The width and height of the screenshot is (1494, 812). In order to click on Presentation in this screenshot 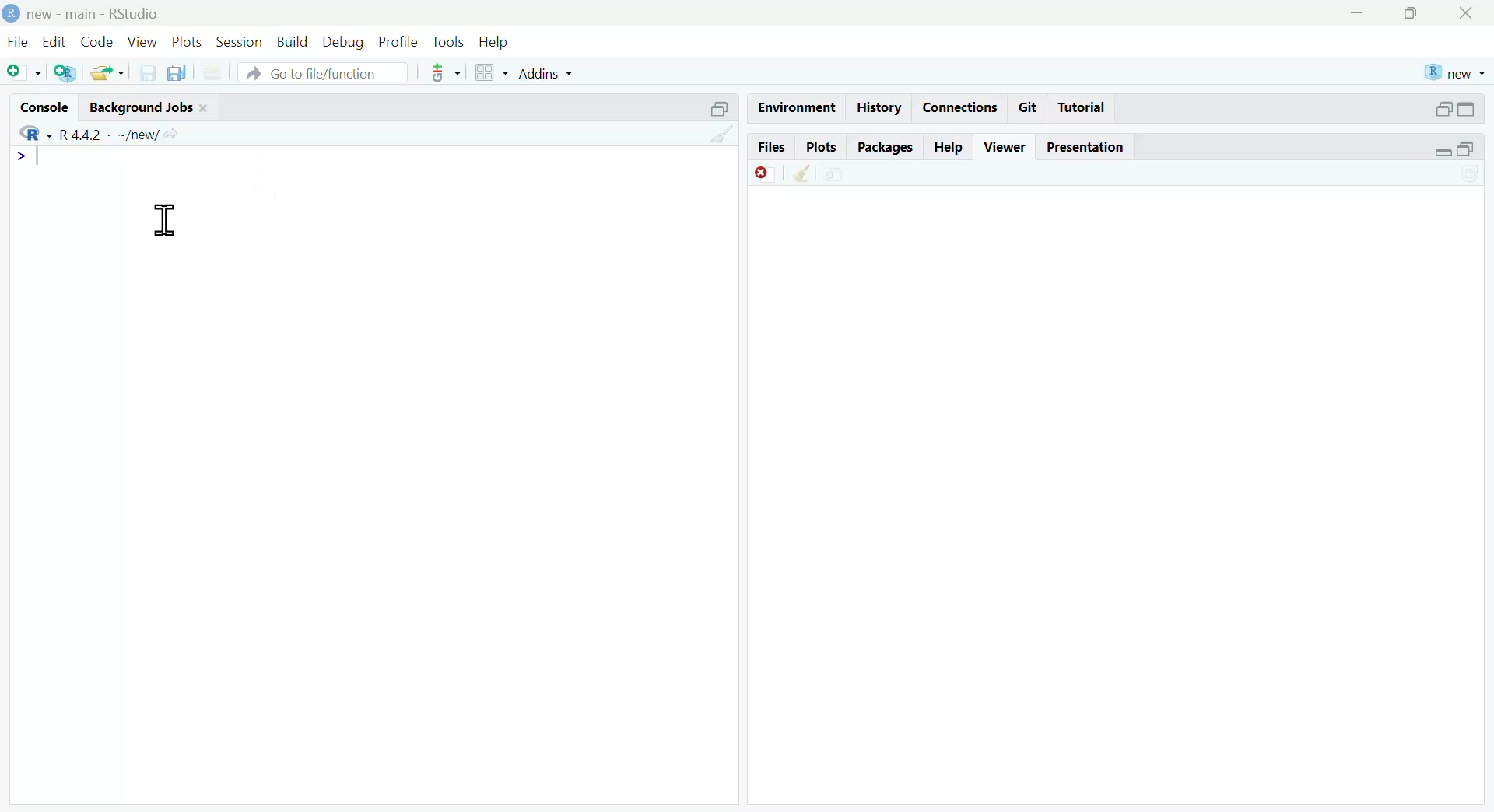, I will do `click(1085, 147)`.